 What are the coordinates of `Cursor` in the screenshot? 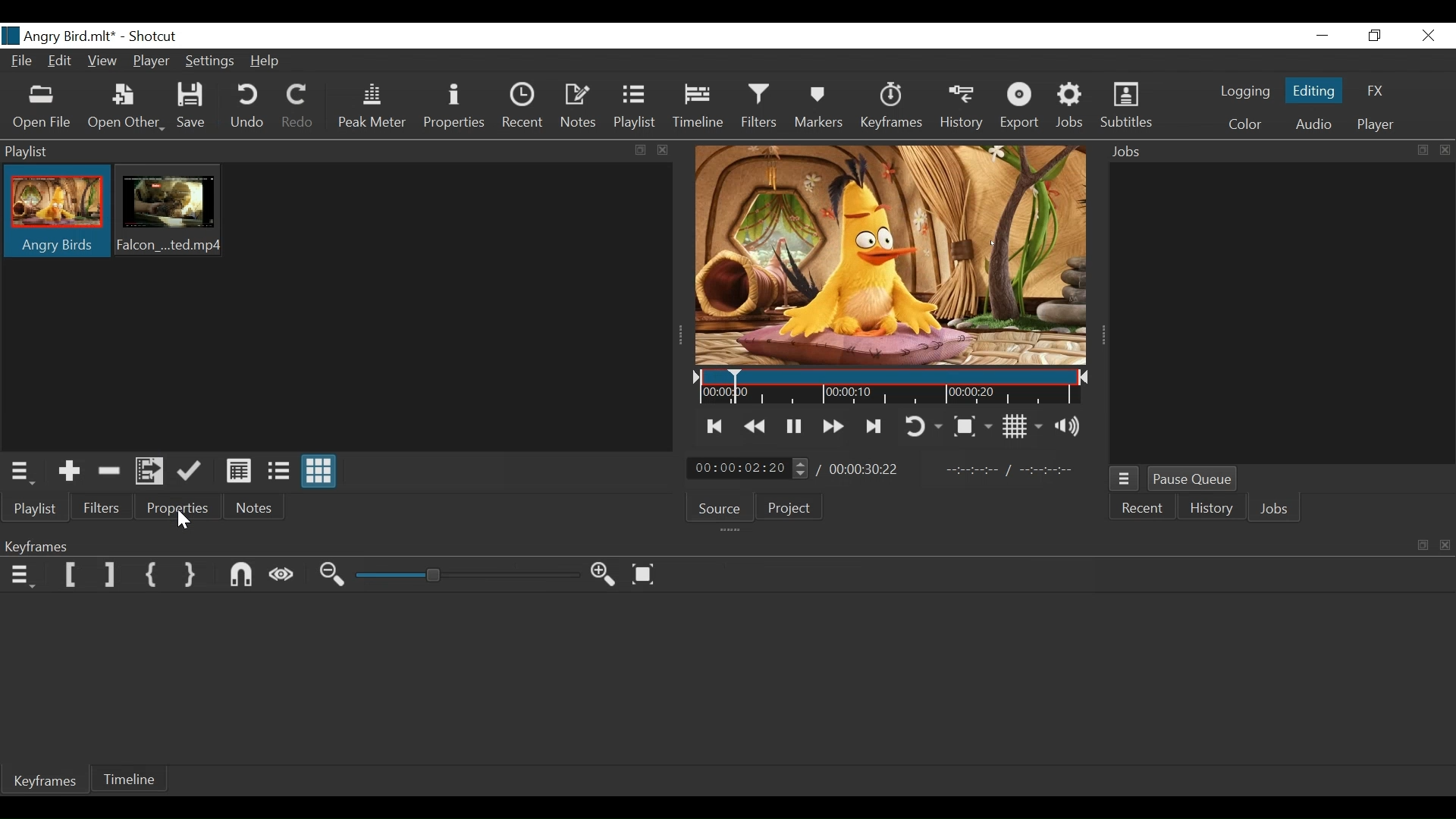 It's located at (188, 522).